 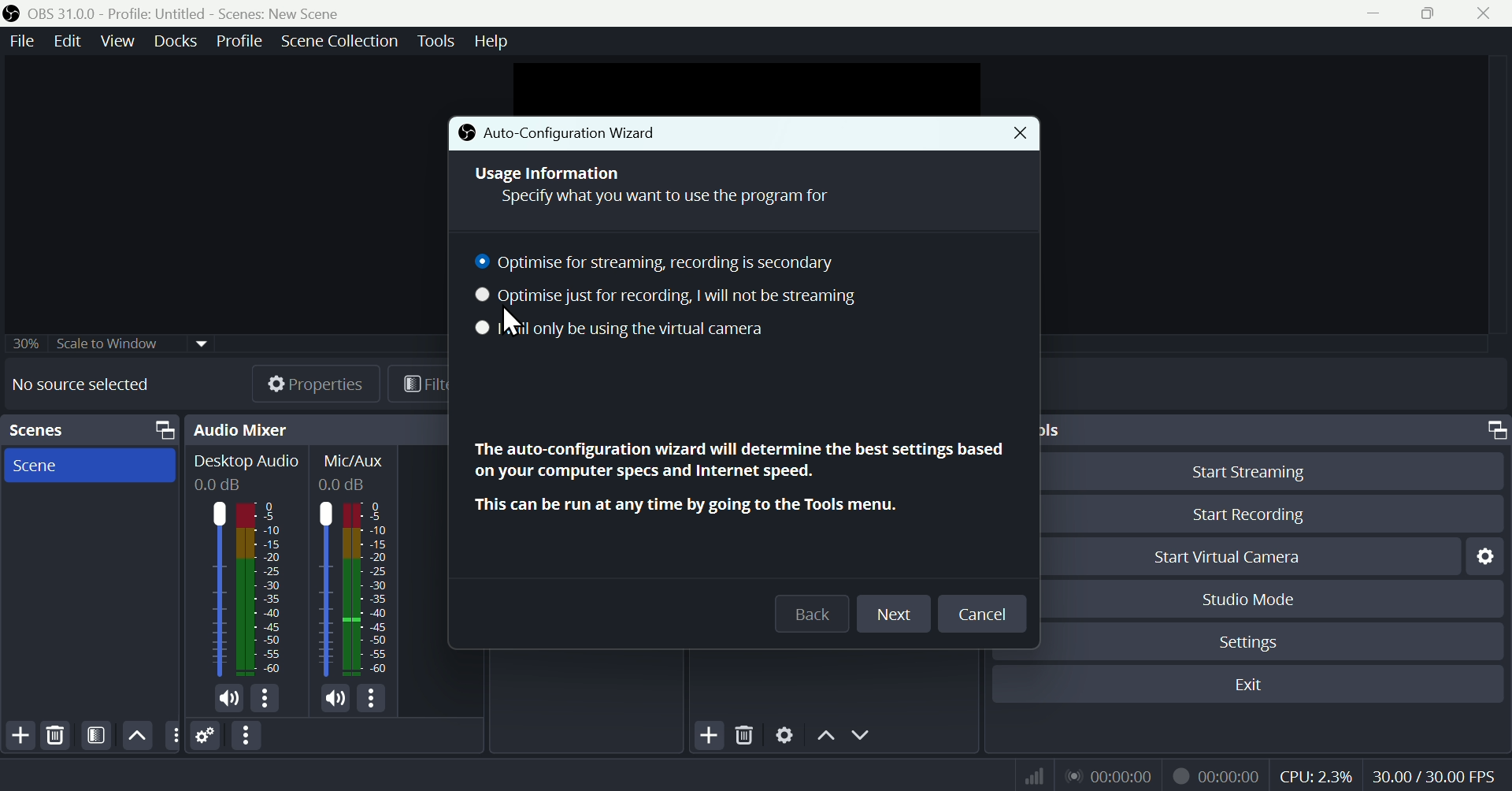 What do you see at coordinates (466, 133) in the screenshot?
I see `icon` at bounding box center [466, 133].